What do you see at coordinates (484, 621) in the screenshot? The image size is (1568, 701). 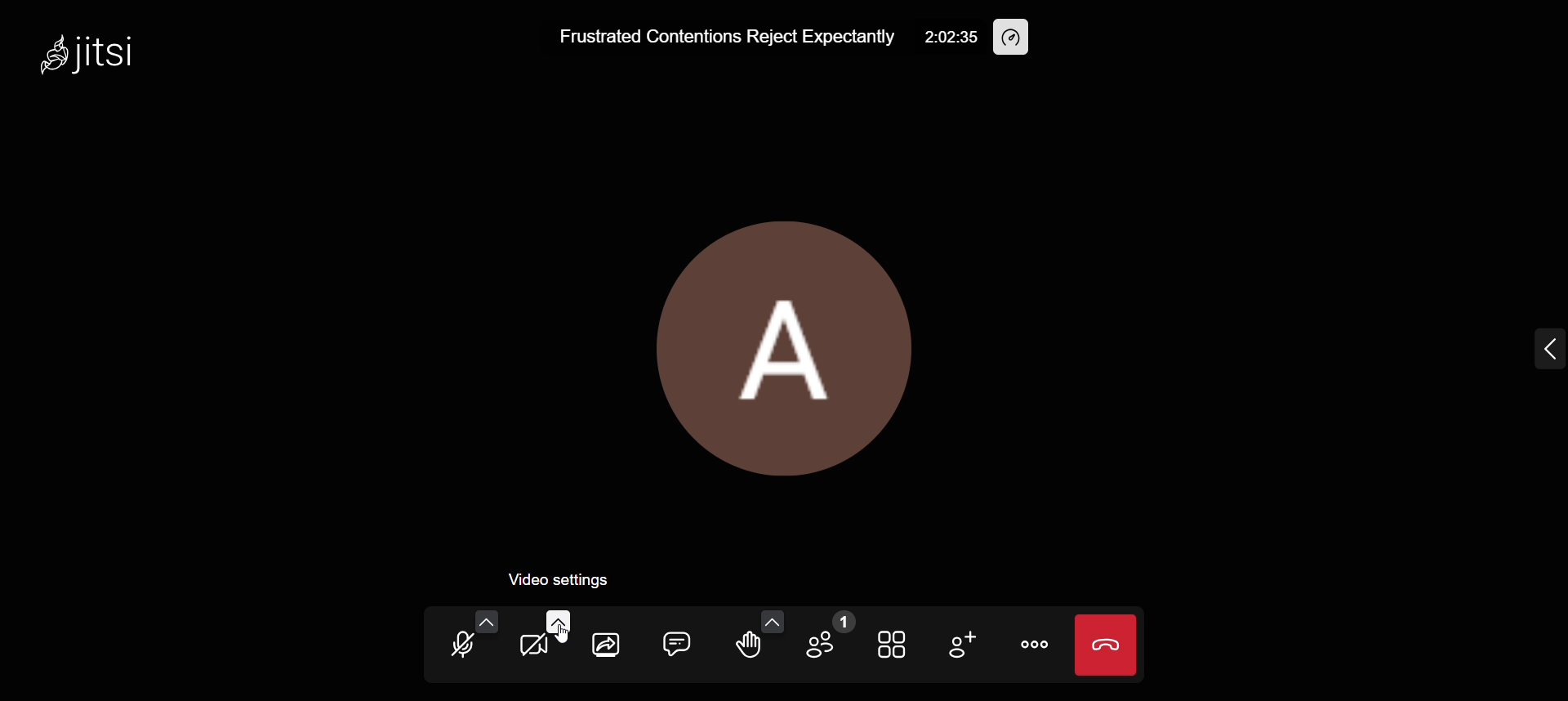 I see `sound setting` at bounding box center [484, 621].